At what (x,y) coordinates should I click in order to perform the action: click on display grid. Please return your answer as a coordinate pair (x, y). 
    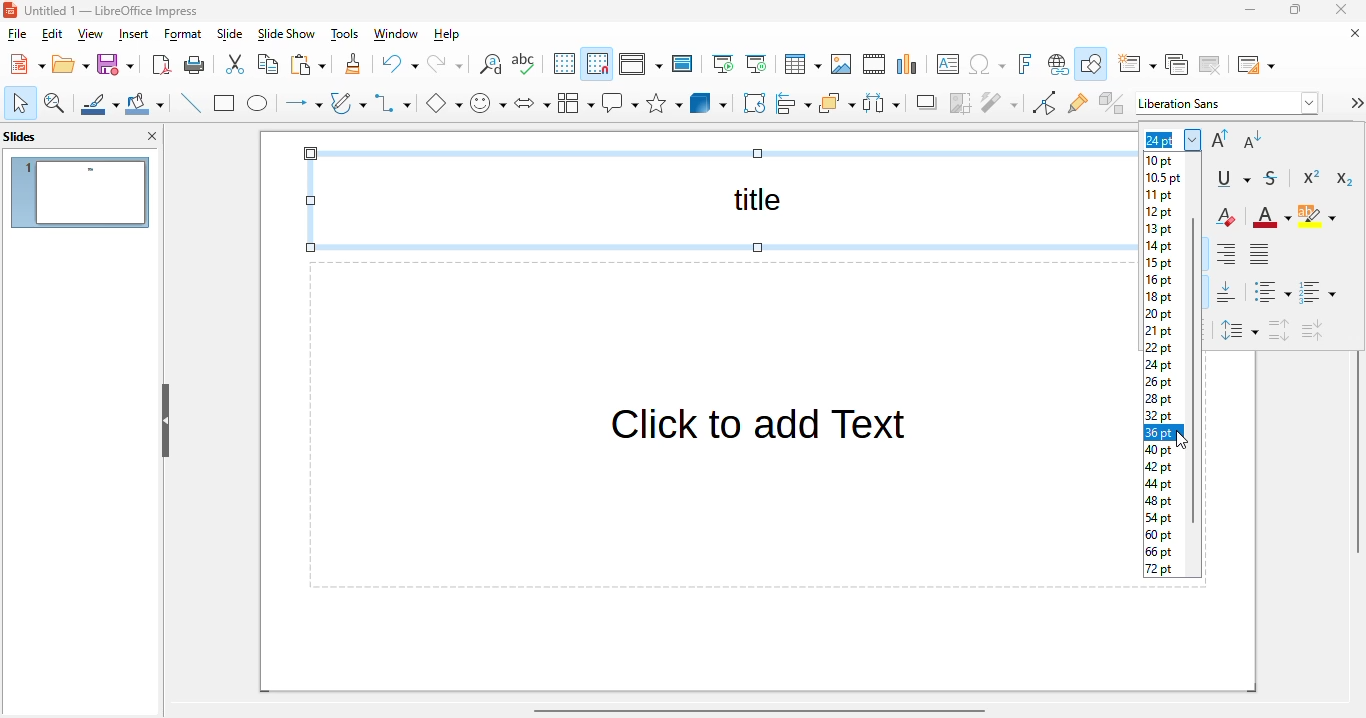
    Looking at the image, I should click on (564, 63).